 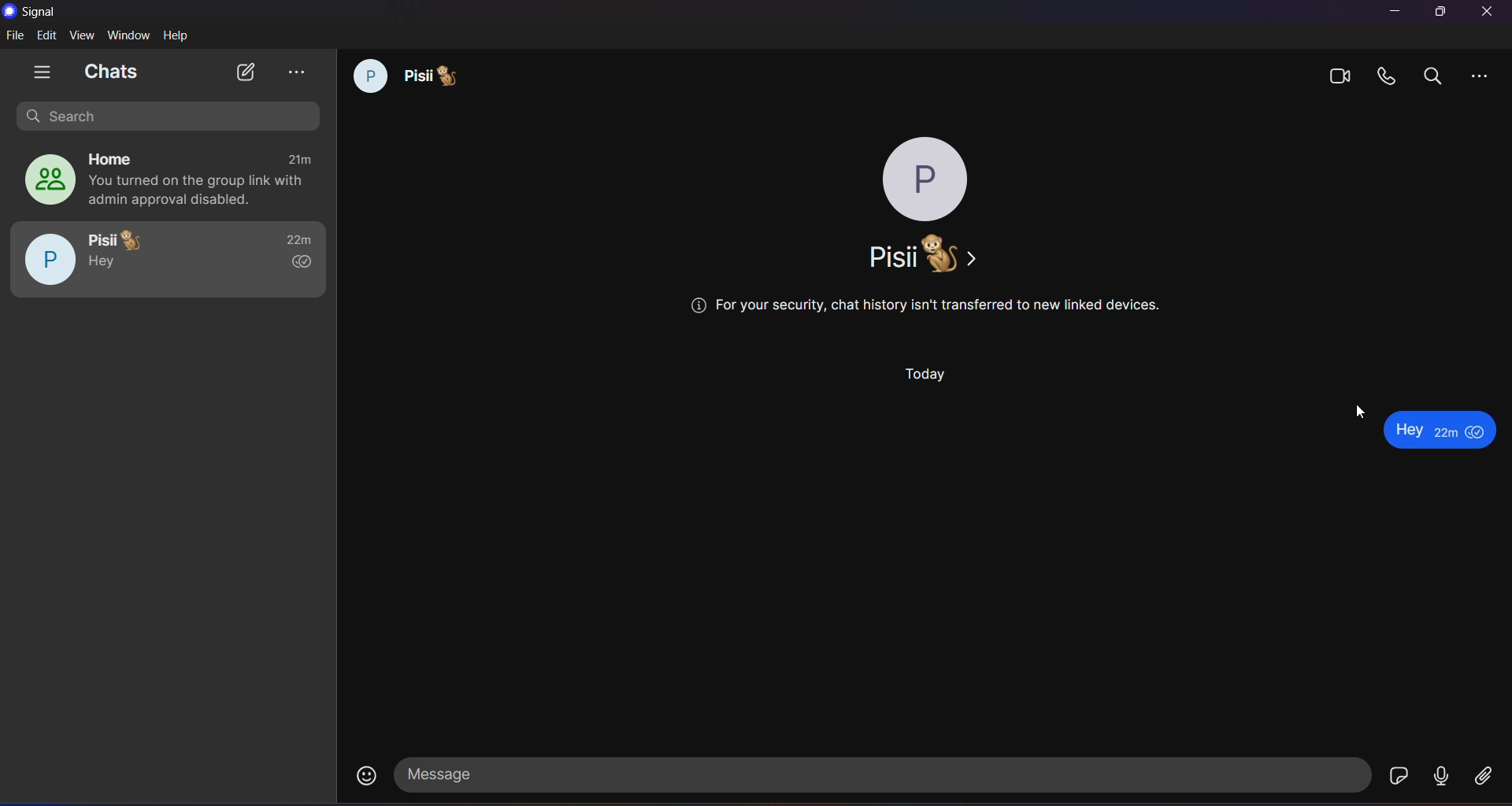 I want to click on help, so click(x=176, y=35).